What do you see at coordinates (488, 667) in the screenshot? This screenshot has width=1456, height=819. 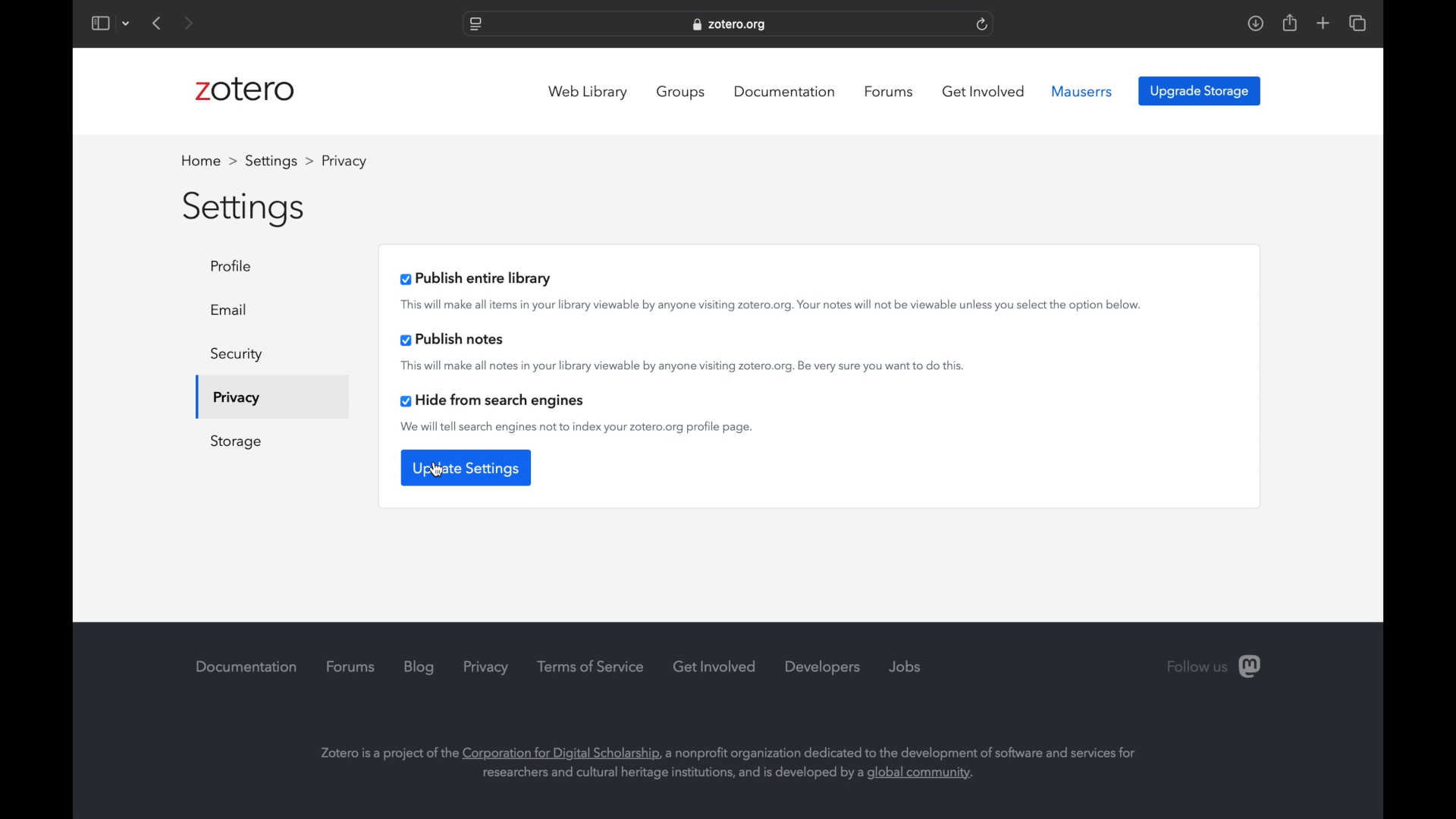 I see `privacy` at bounding box center [488, 667].